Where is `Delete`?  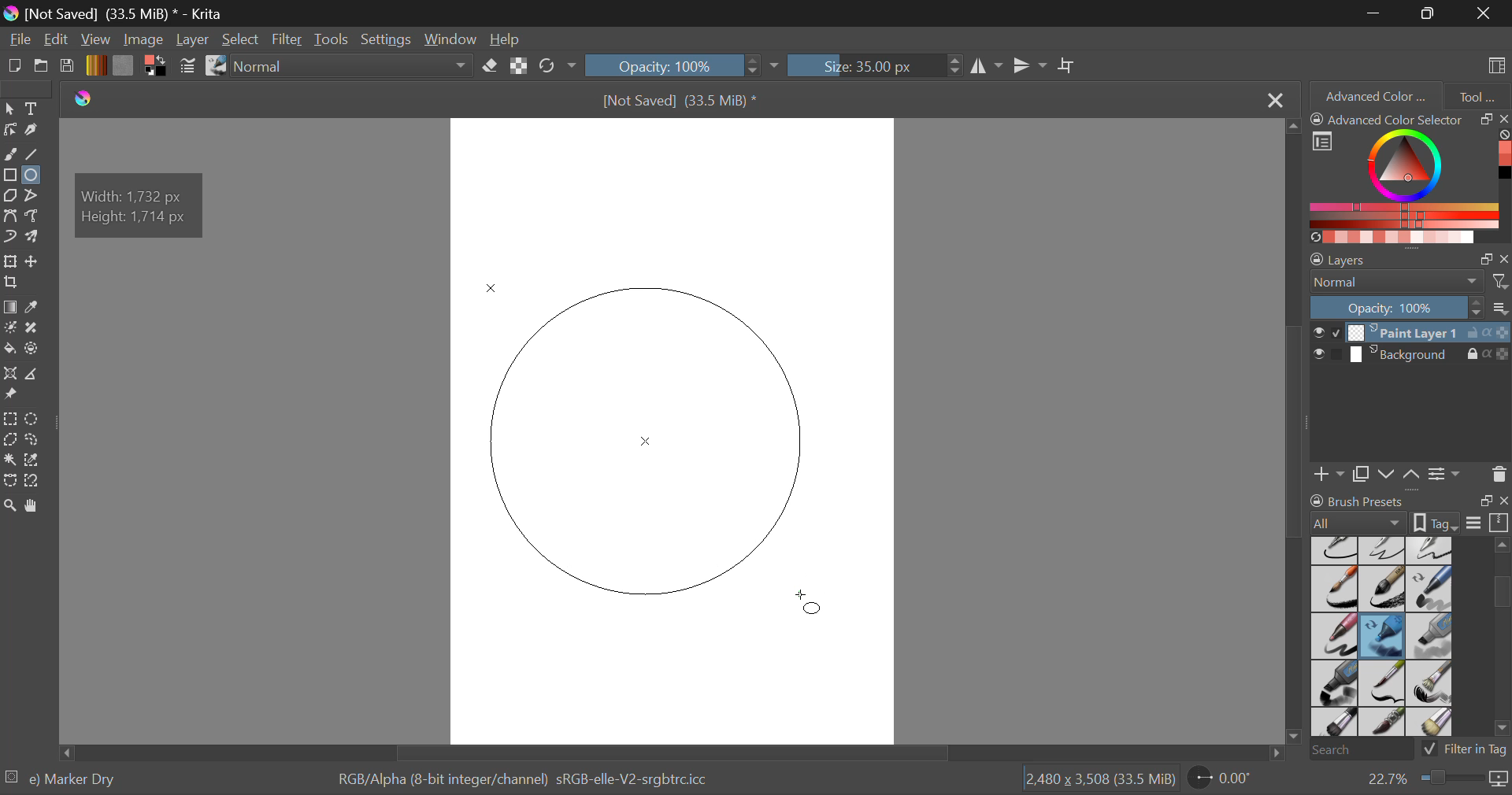 Delete is located at coordinates (1499, 474).